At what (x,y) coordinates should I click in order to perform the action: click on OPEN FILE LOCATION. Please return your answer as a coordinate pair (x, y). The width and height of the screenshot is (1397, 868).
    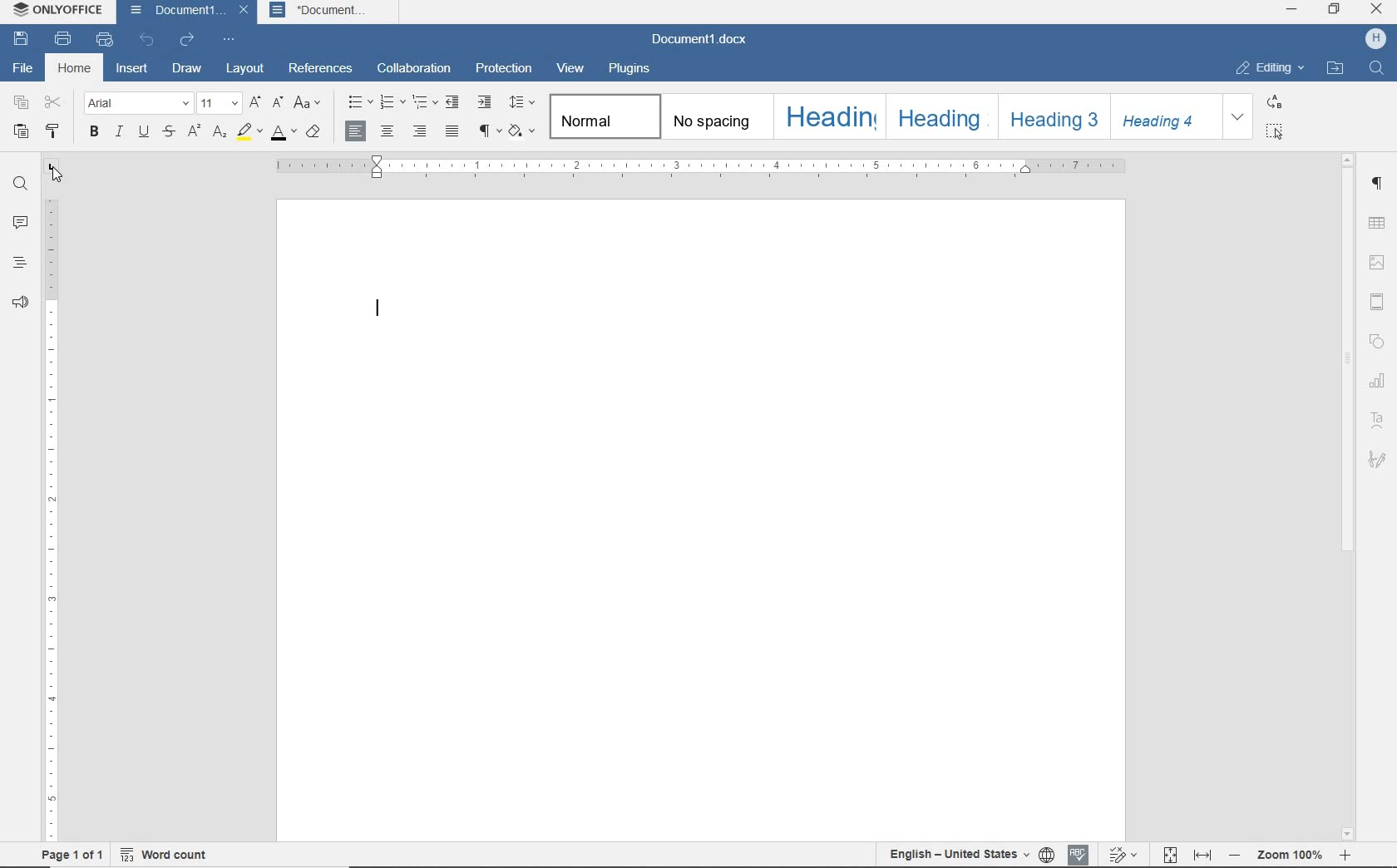
    Looking at the image, I should click on (1335, 67).